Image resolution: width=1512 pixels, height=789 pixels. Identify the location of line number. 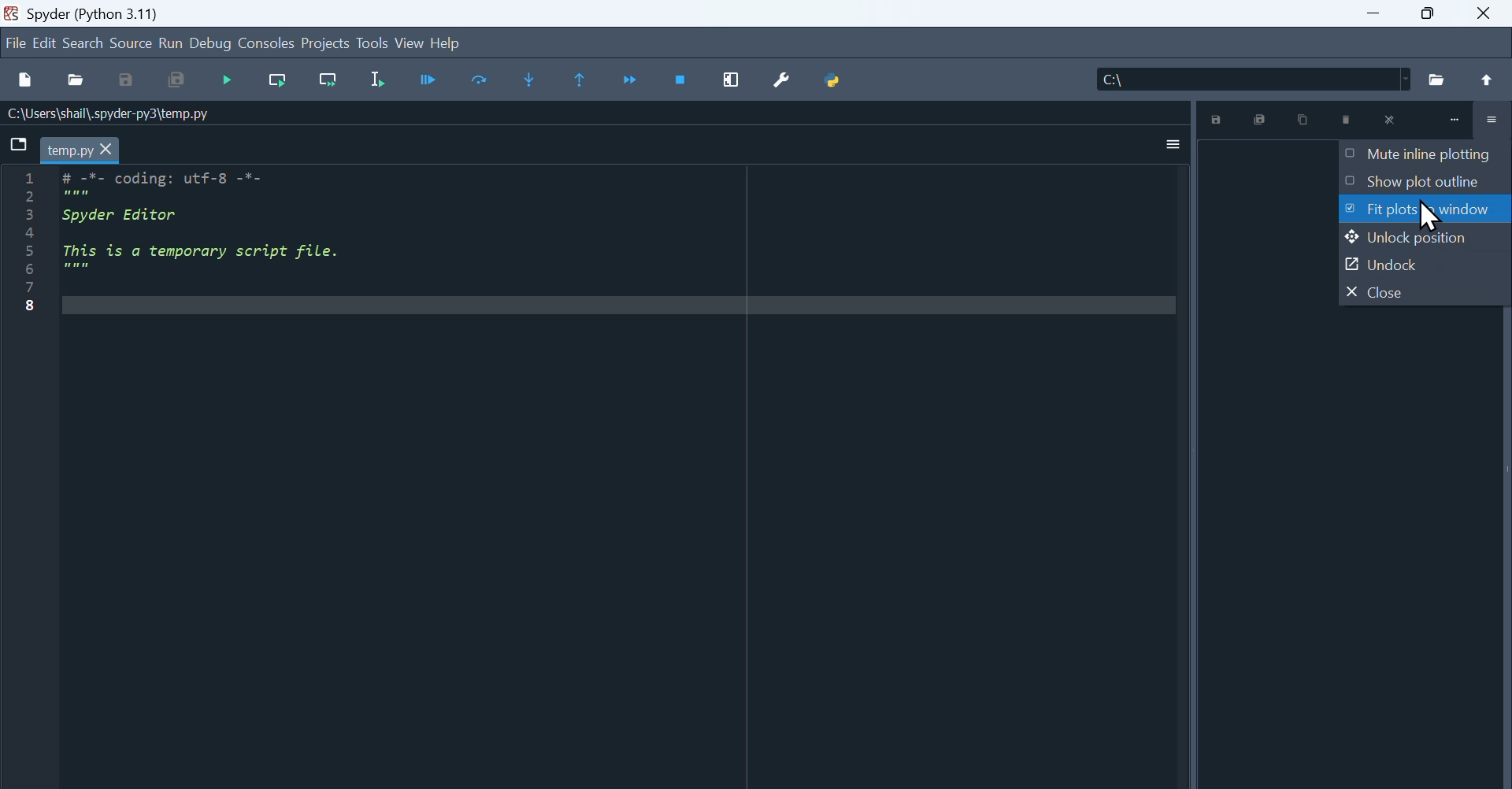
(35, 249).